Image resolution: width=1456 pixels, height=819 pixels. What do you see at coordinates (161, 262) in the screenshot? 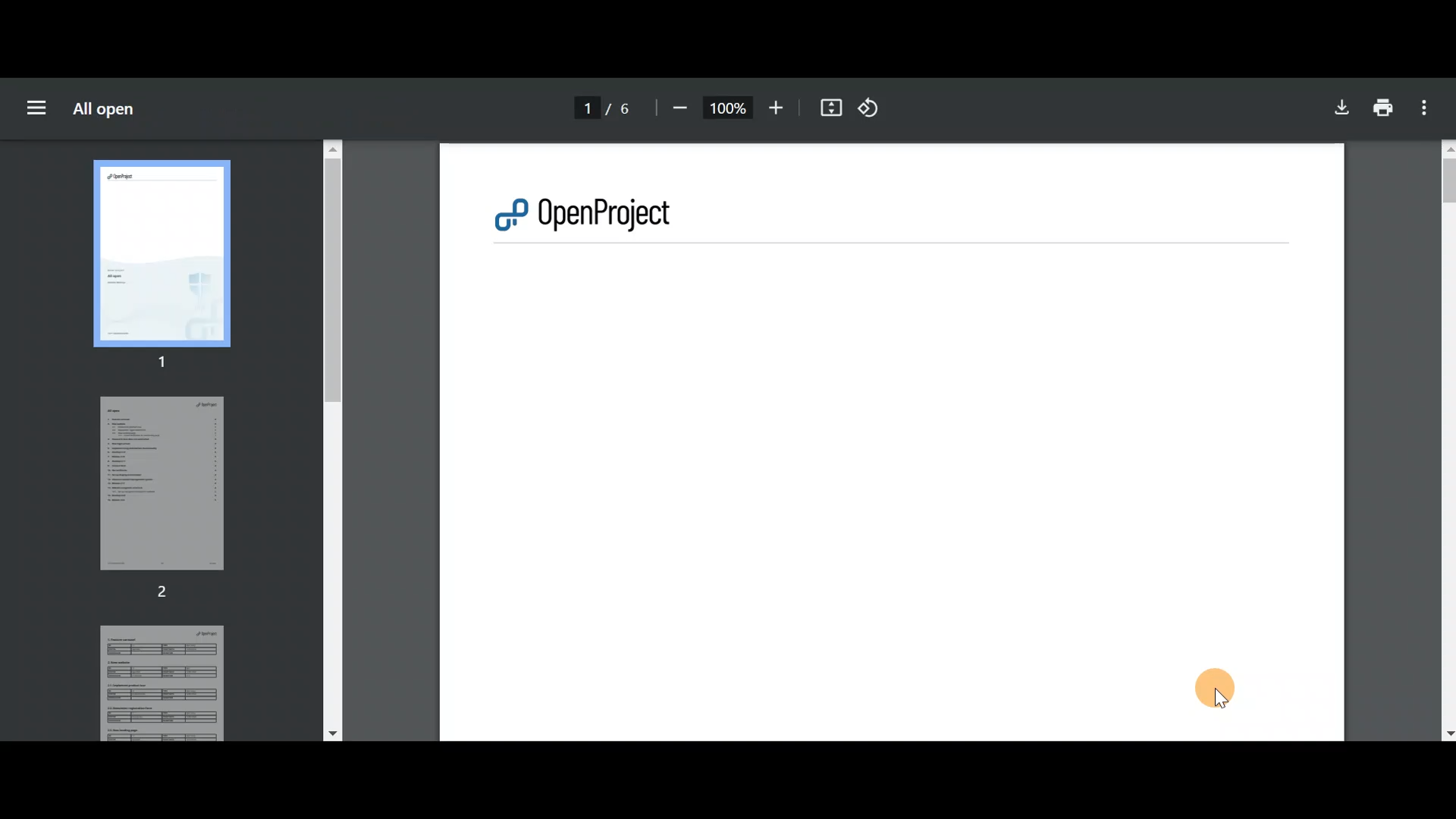
I see `Page 1 preview` at bounding box center [161, 262].